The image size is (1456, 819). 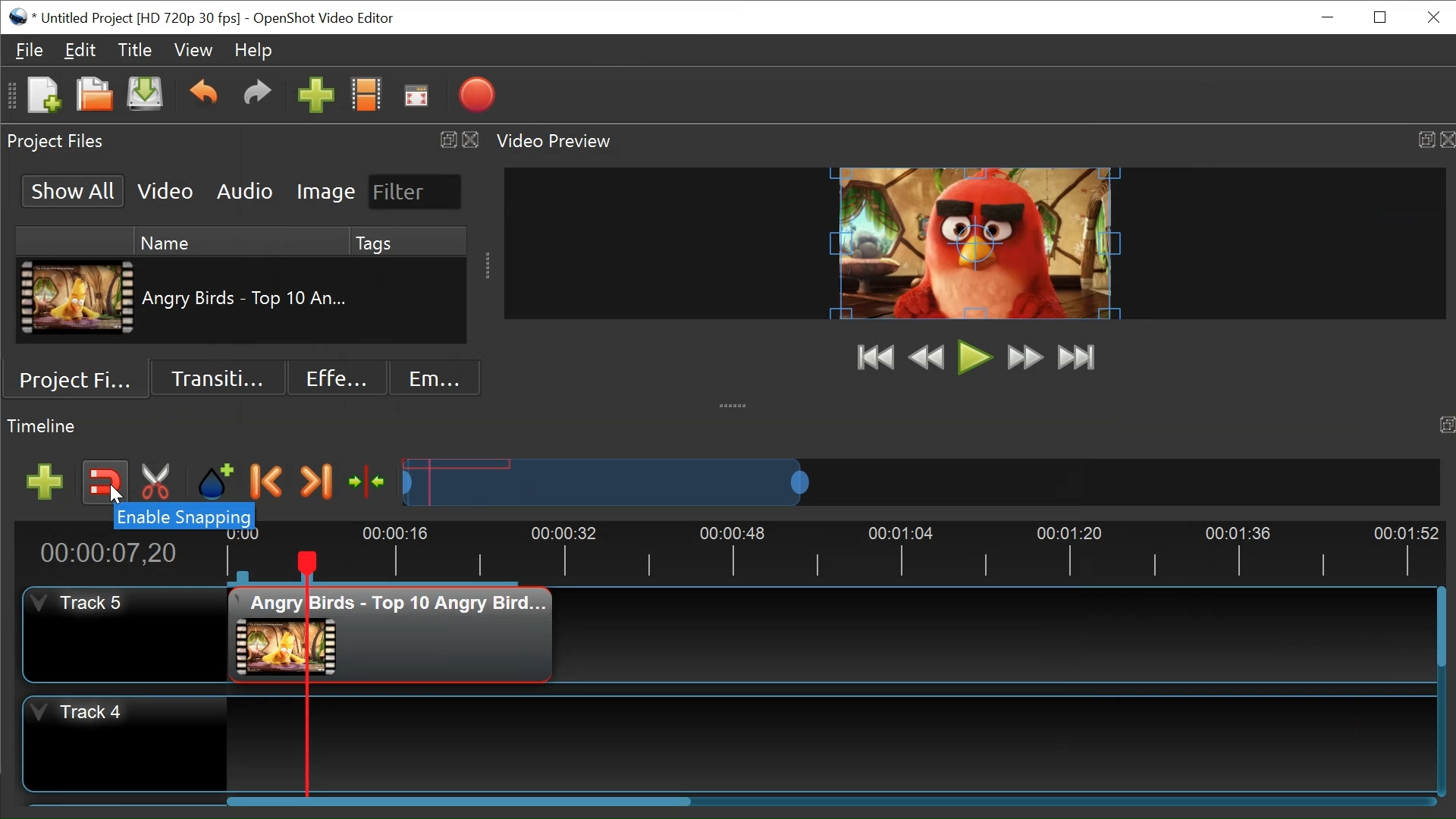 What do you see at coordinates (80, 50) in the screenshot?
I see `Edit` at bounding box center [80, 50].